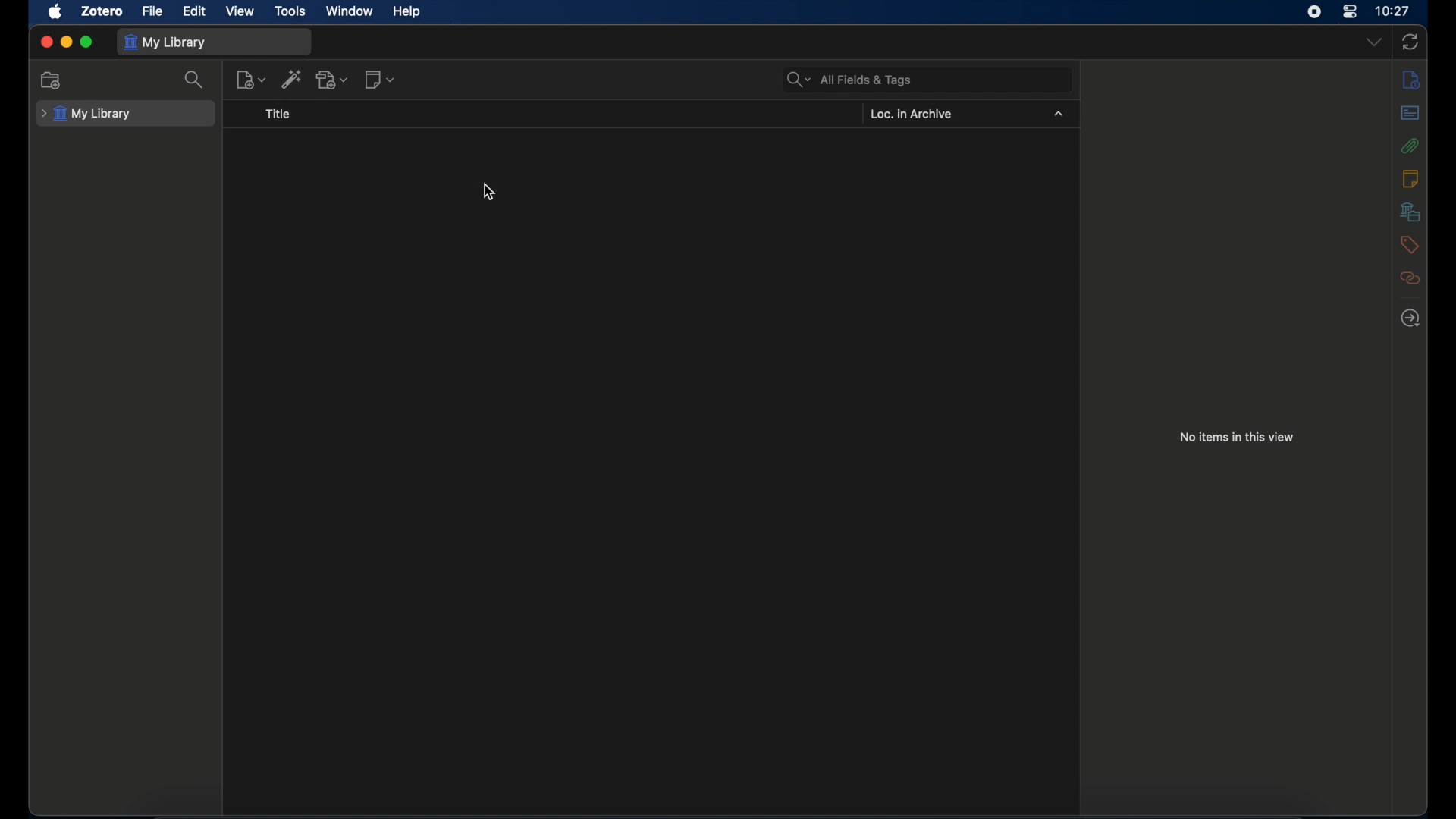 The height and width of the screenshot is (819, 1456). Describe the element at coordinates (1412, 146) in the screenshot. I see `attachments` at that location.